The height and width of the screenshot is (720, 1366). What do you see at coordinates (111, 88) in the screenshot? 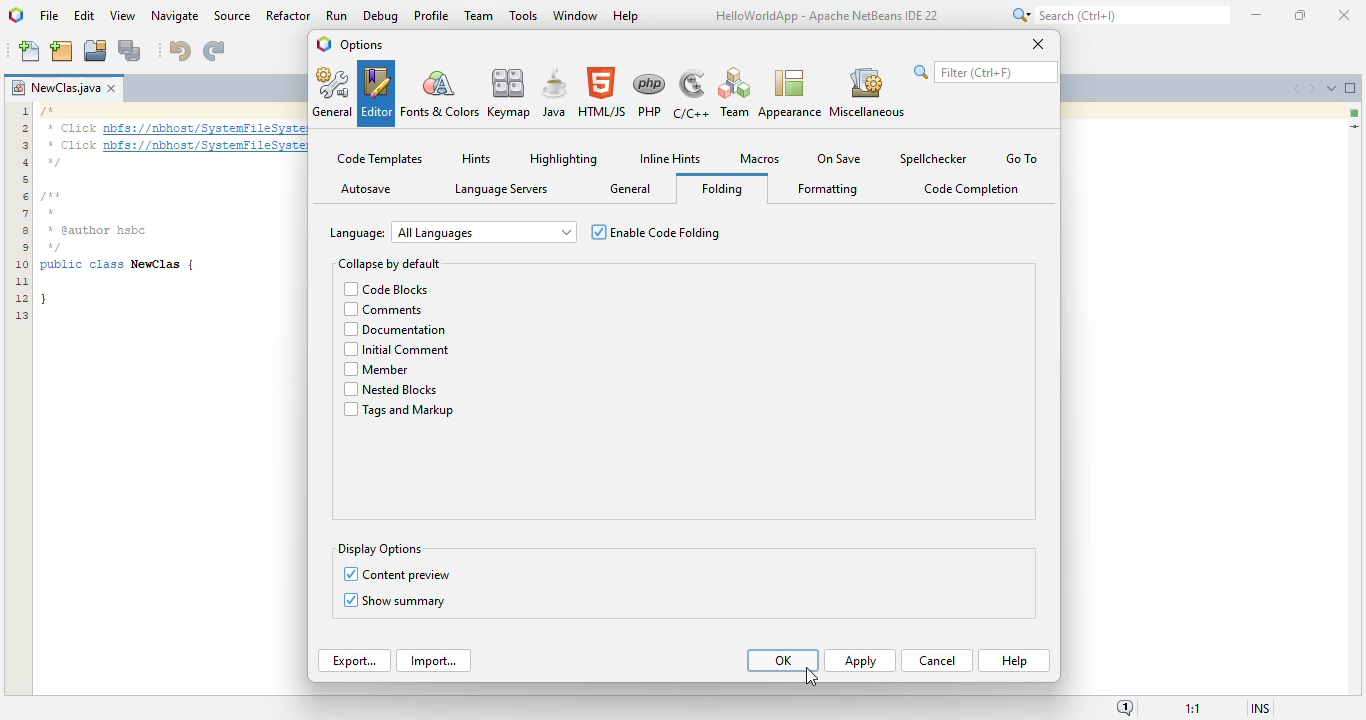
I see `close window` at bounding box center [111, 88].